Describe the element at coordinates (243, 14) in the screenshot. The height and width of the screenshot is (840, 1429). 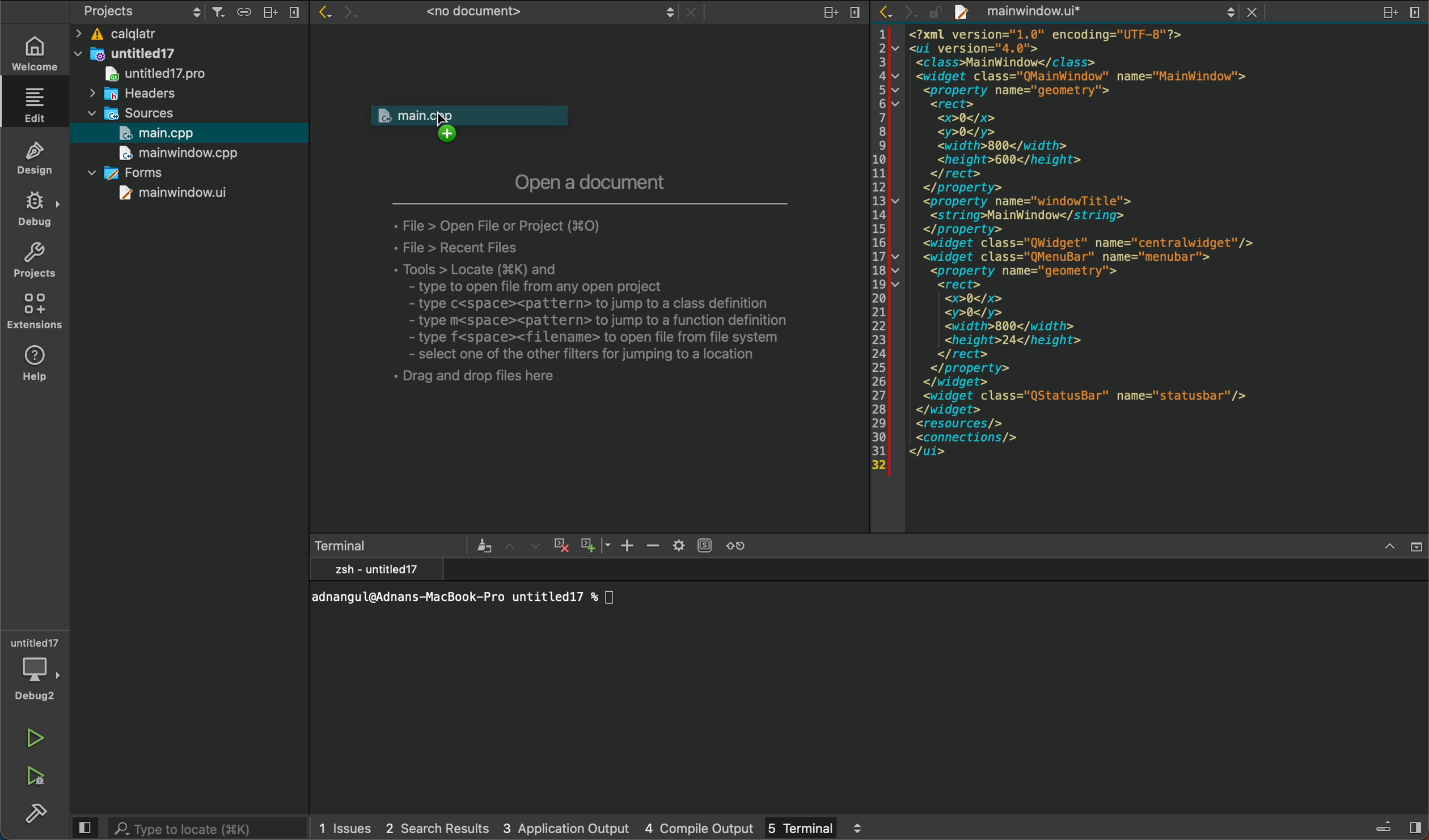
I see `syncronize with editor` at that location.